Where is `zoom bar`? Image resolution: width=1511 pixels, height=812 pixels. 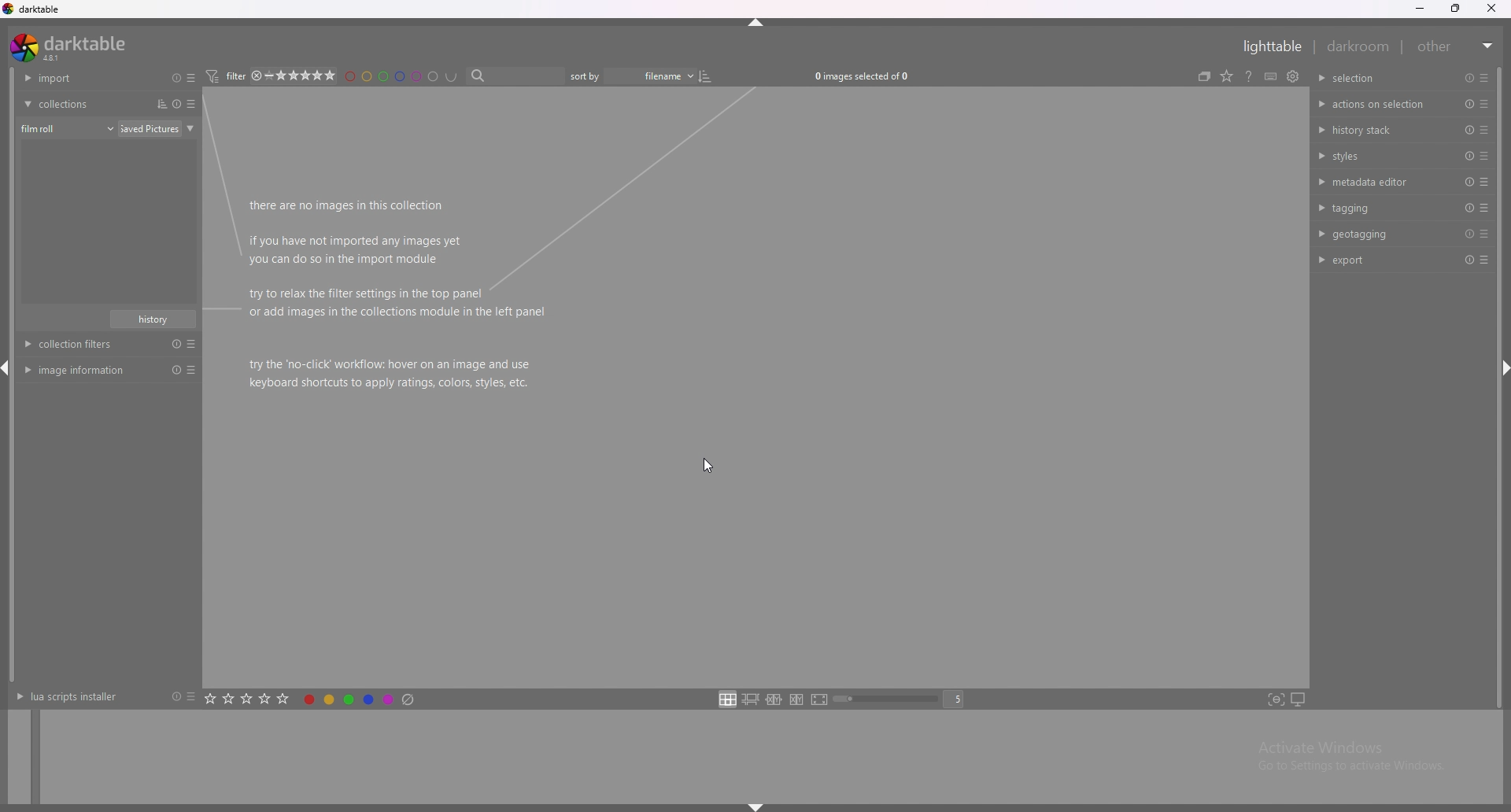
zoom bar is located at coordinates (888, 700).